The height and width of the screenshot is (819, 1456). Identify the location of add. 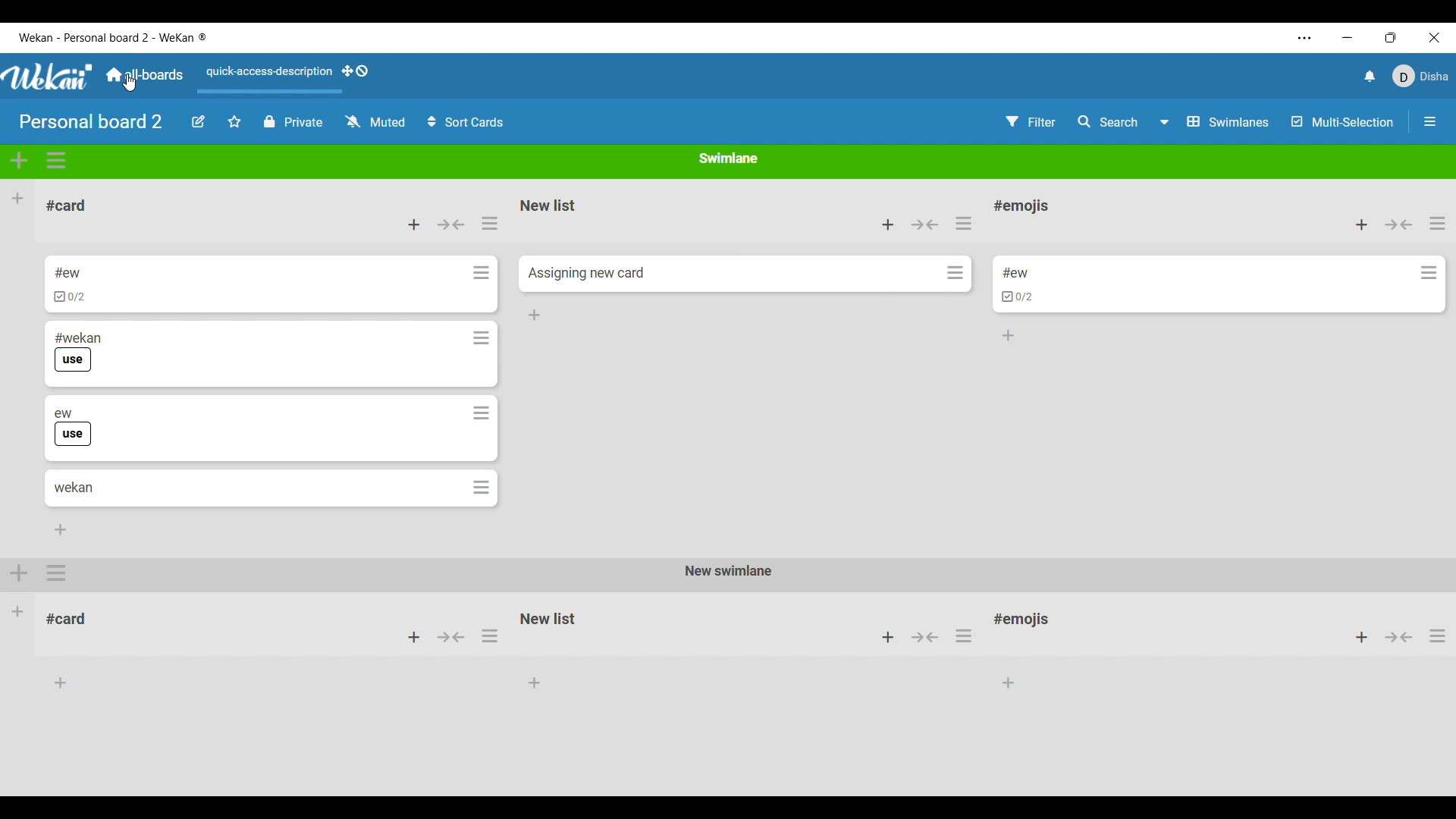
(66, 681).